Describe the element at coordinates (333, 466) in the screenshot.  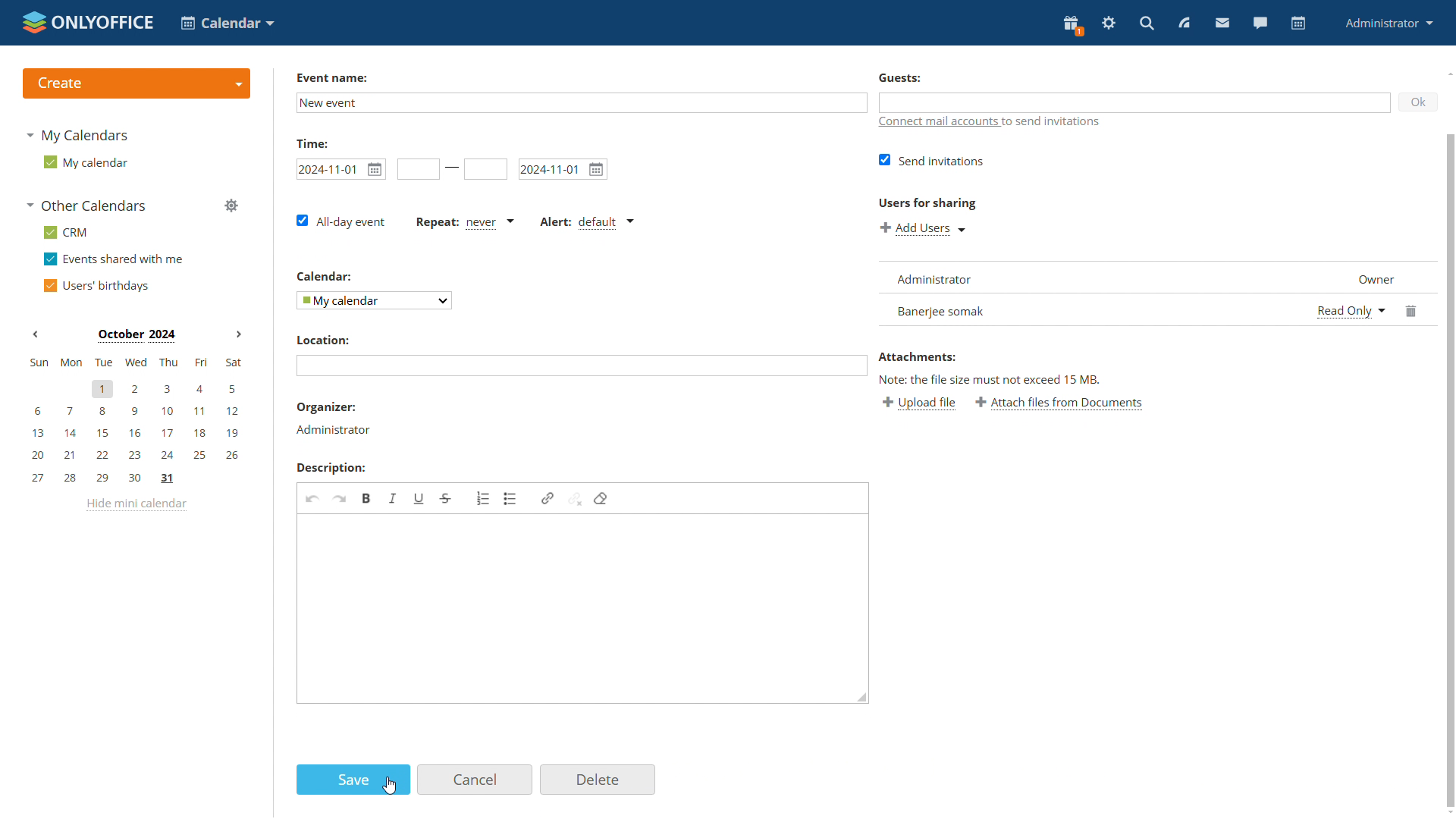
I see `Description` at that location.